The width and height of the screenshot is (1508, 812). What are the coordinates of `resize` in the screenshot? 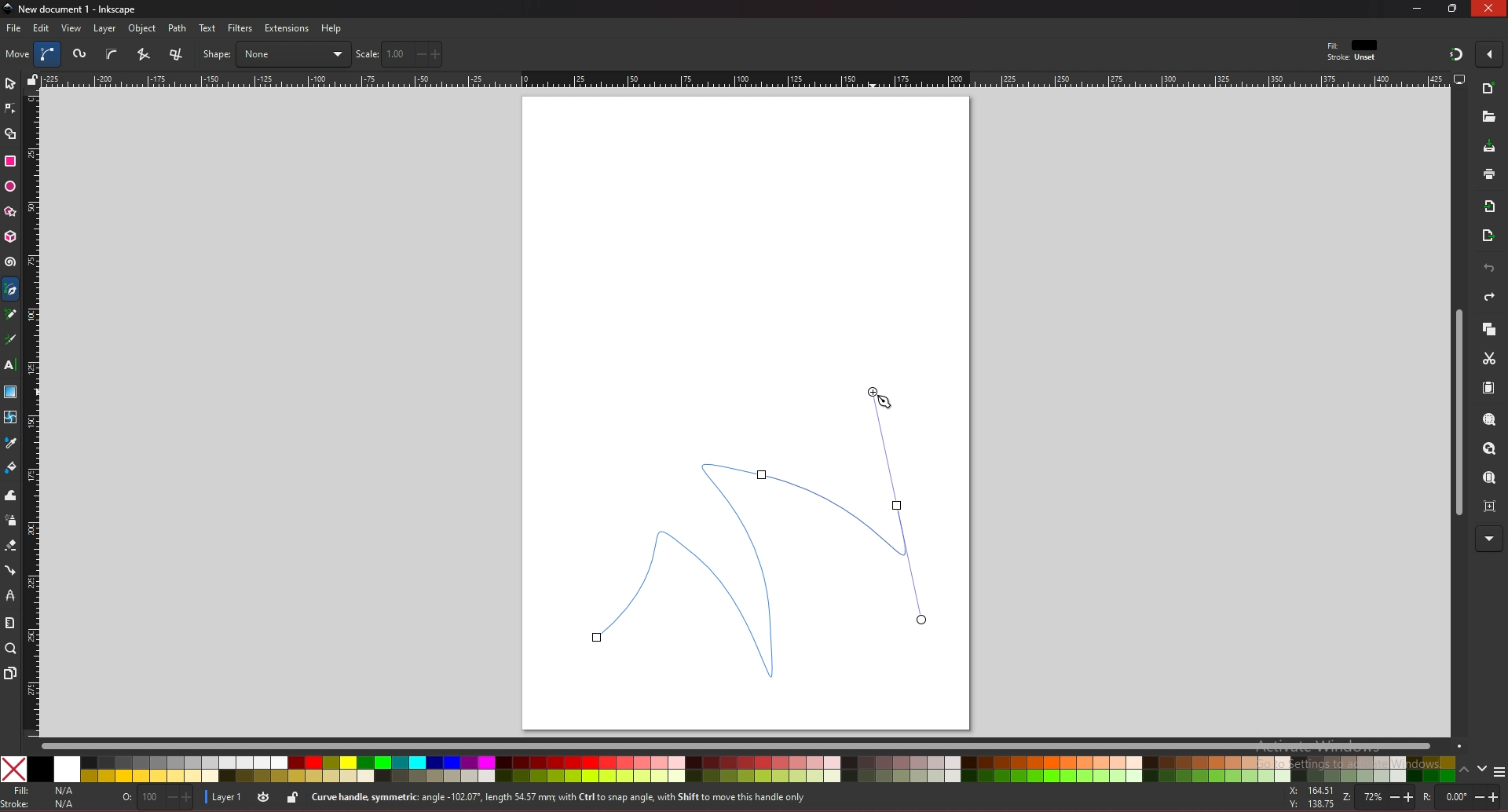 It's located at (1455, 8).